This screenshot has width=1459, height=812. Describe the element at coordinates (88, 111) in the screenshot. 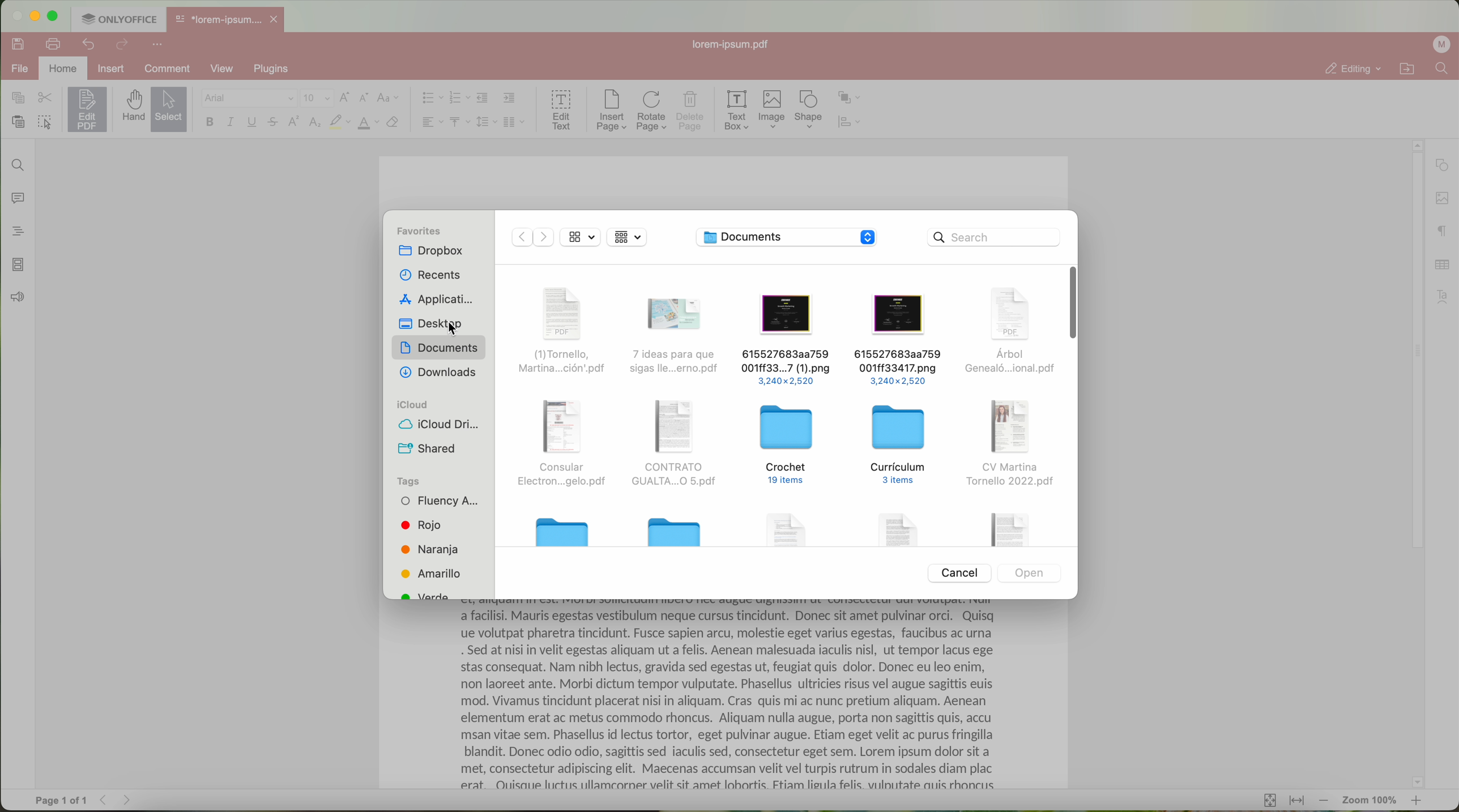

I see `click on edit PDF` at that location.